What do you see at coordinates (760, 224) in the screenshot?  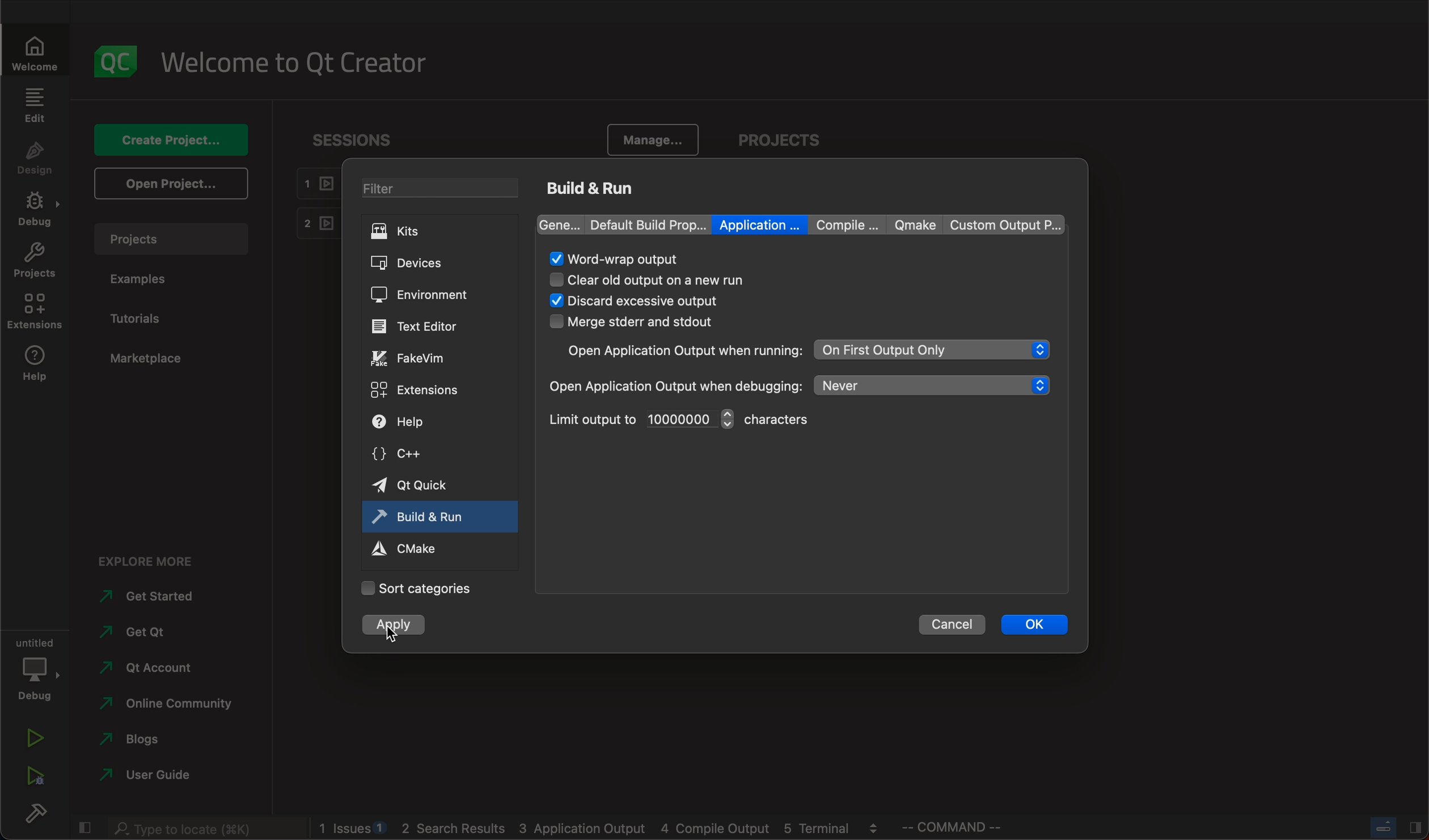 I see `application` at bounding box center [760, 224].